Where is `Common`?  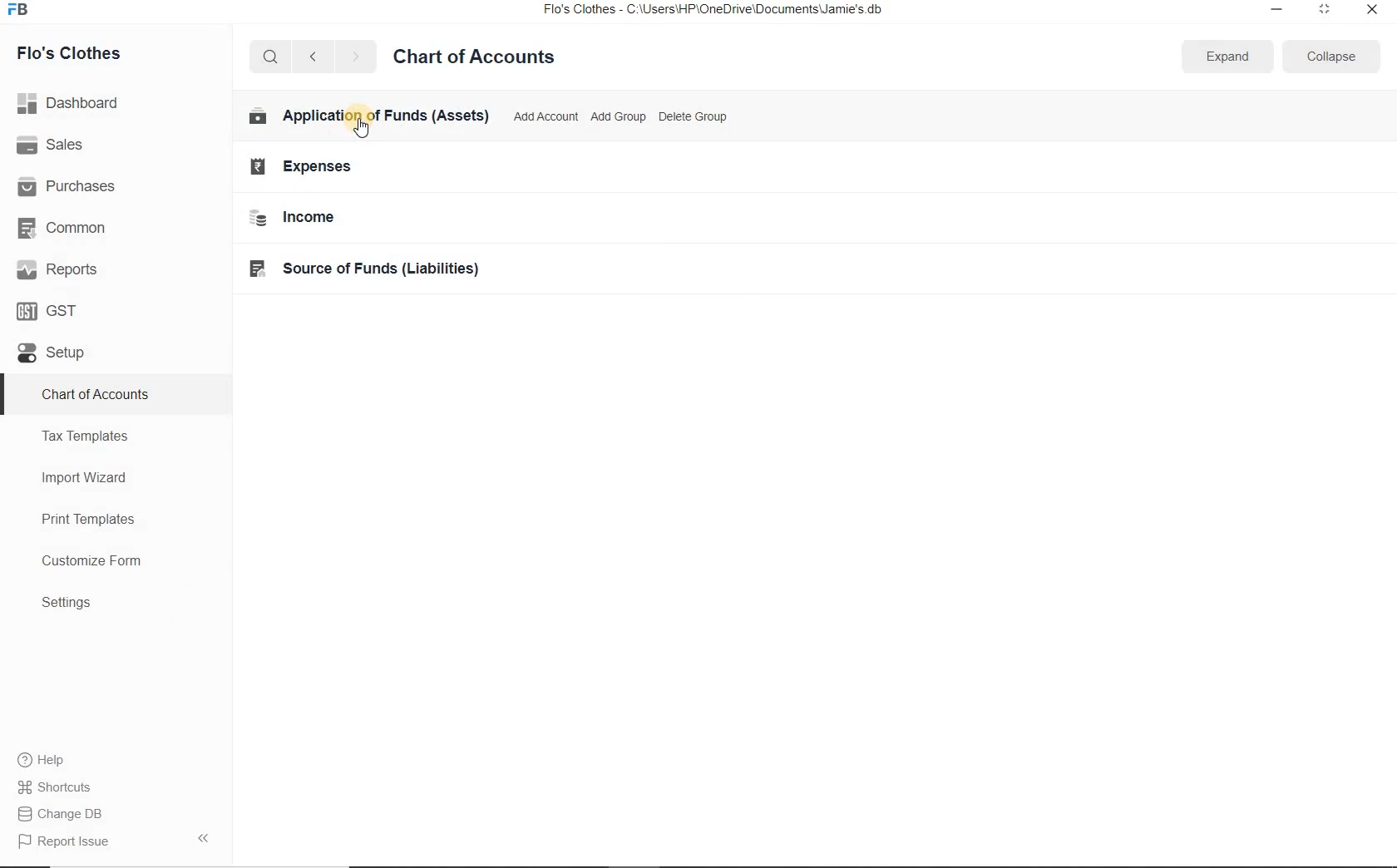 Common is located at coordinates (65, 227).